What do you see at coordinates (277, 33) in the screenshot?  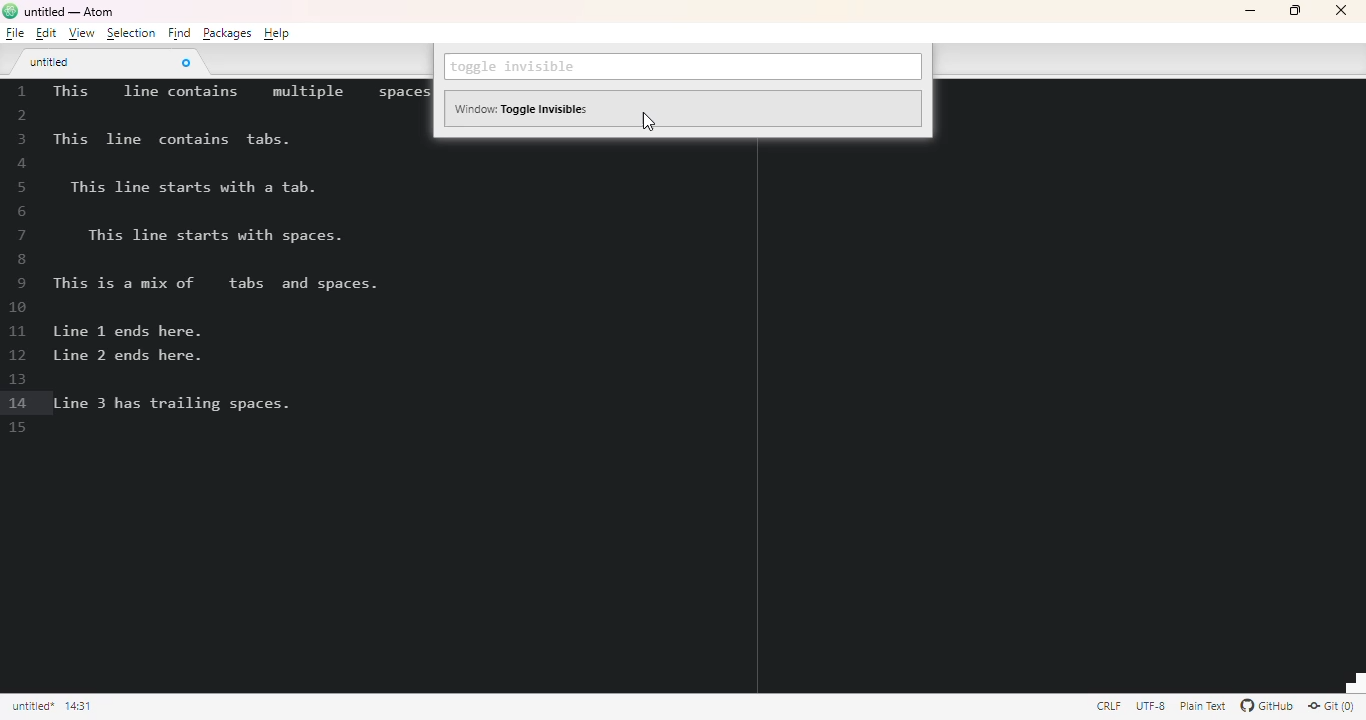 I see `help` at bounding box center [277, 33].